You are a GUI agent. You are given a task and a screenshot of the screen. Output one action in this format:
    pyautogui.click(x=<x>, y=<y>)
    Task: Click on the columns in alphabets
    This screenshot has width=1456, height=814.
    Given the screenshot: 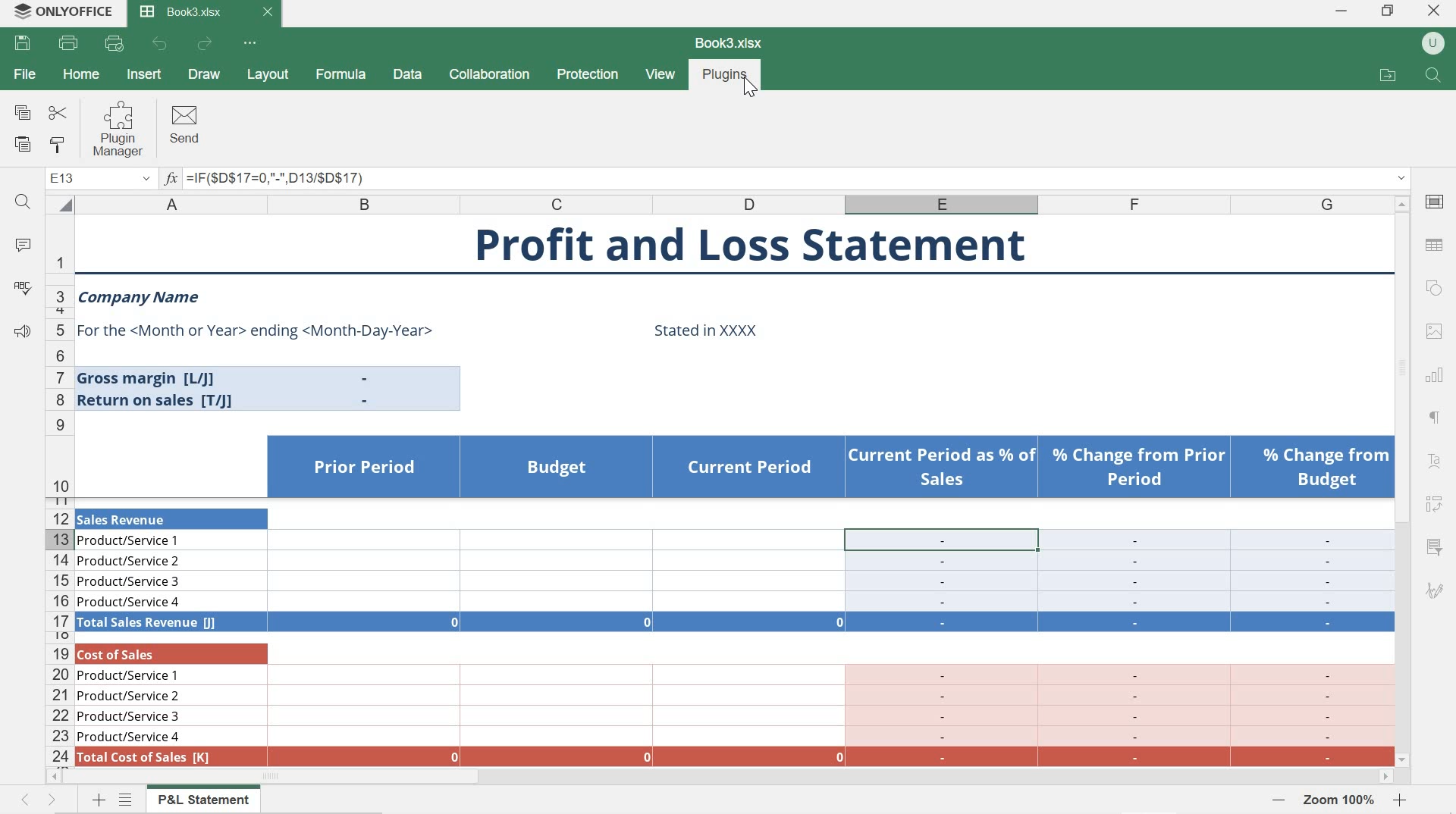 What is the action you would take?
    pyautogui.click(x=732, y=204)
    